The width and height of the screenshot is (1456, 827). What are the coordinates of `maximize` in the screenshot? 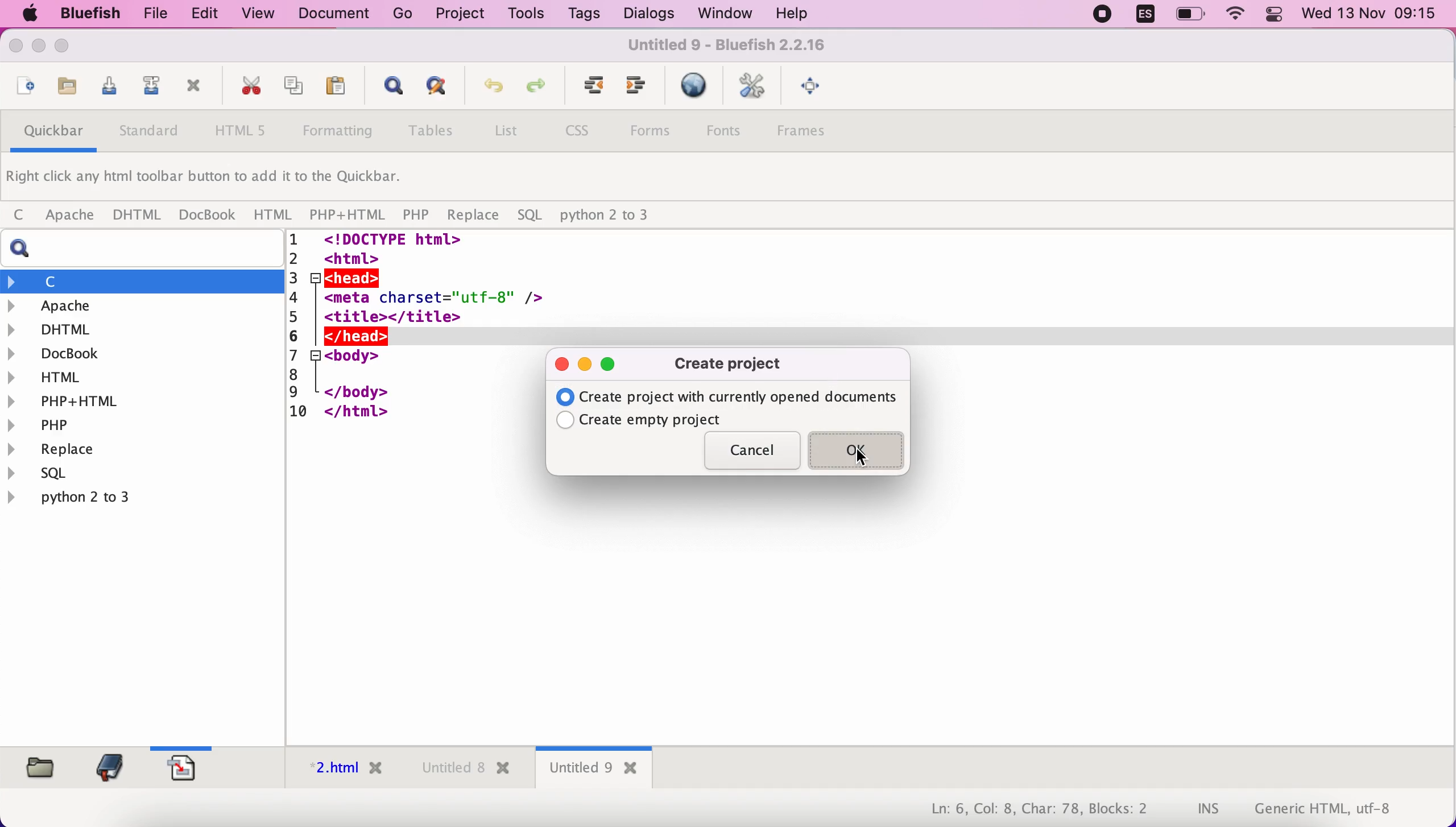 It's located at (610, 366).